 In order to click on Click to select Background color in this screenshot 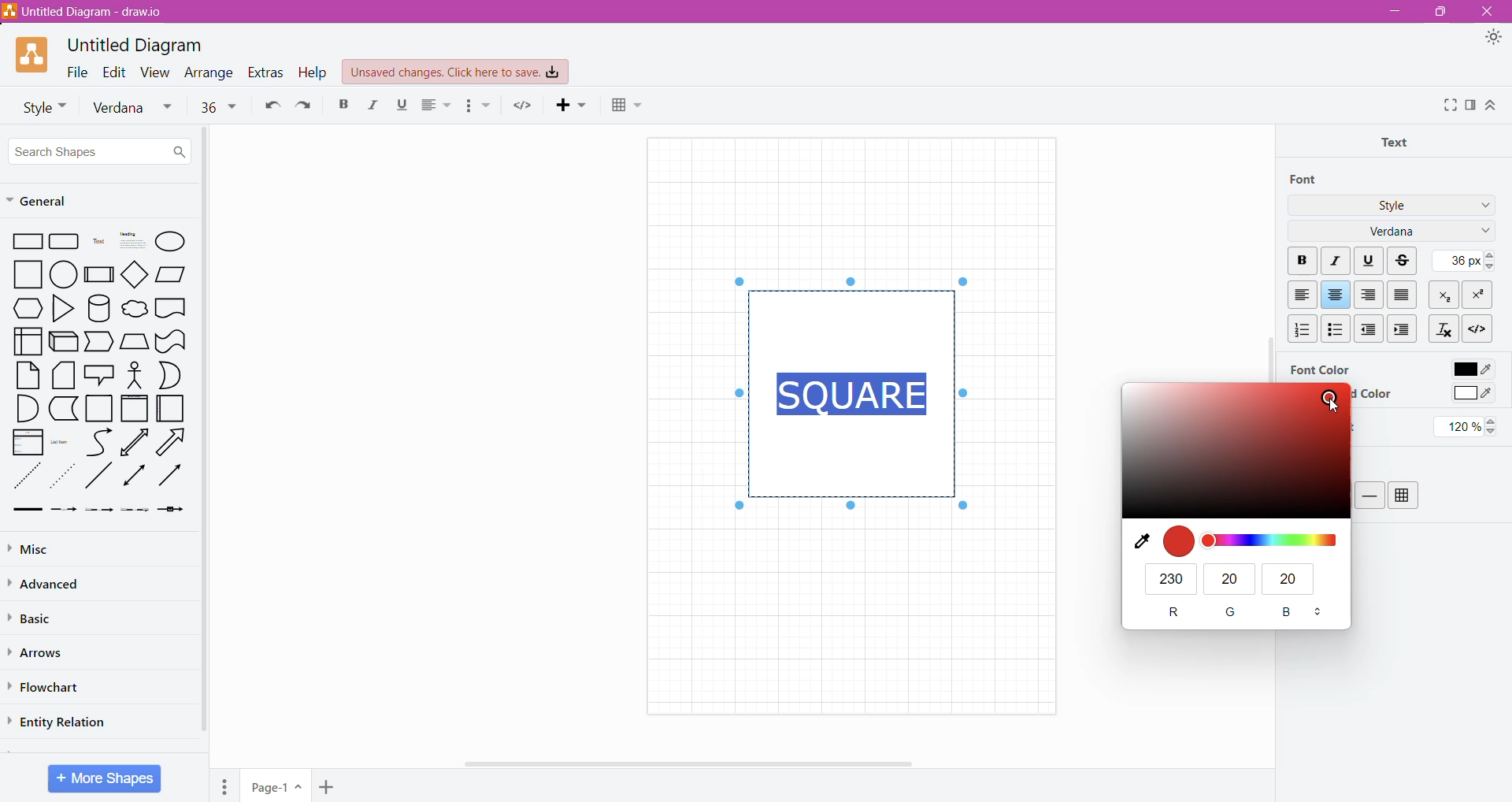, I will do `click(1472, 395)`.